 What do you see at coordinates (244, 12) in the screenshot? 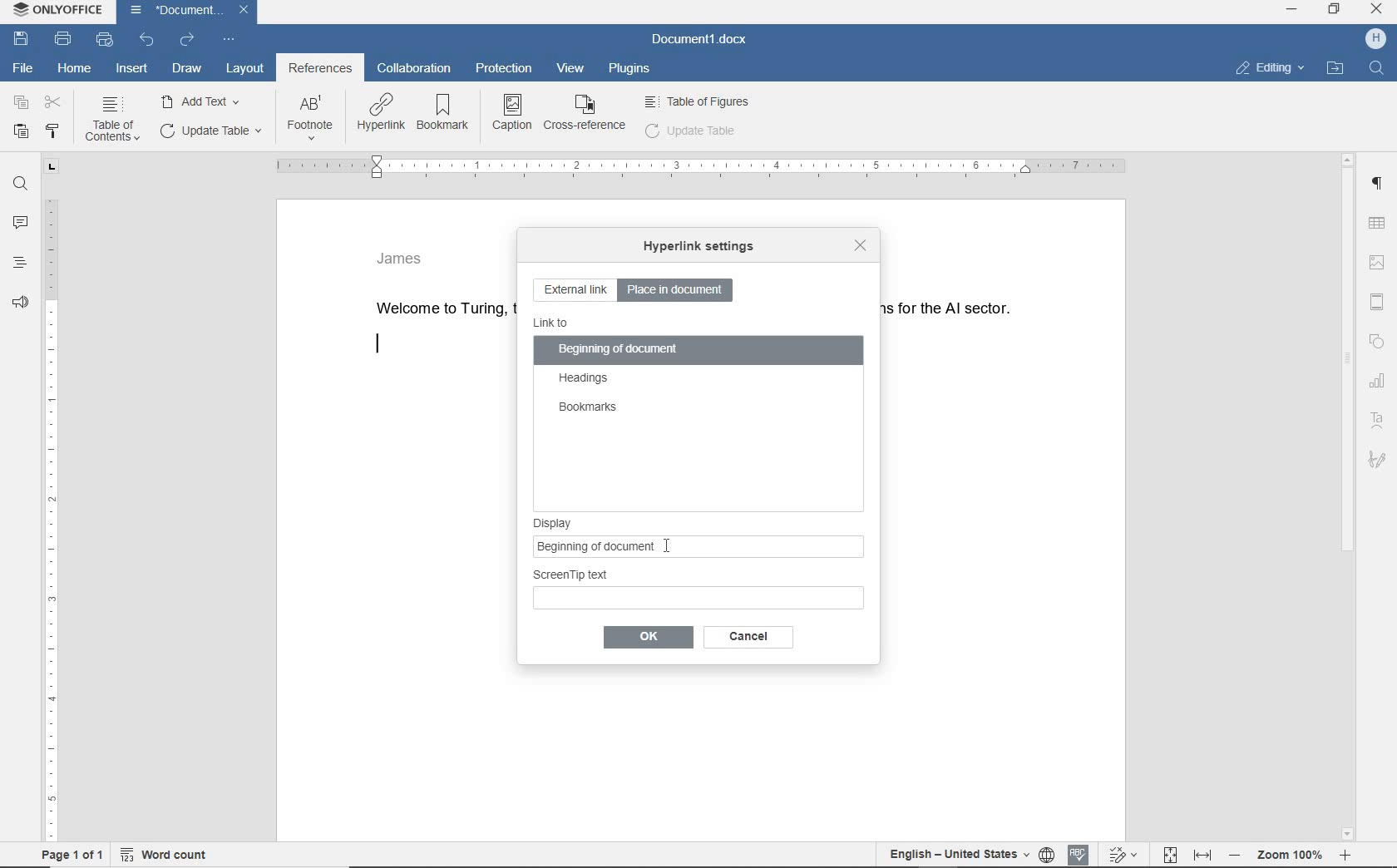
I see `Close` at bounding box center [244, 12].